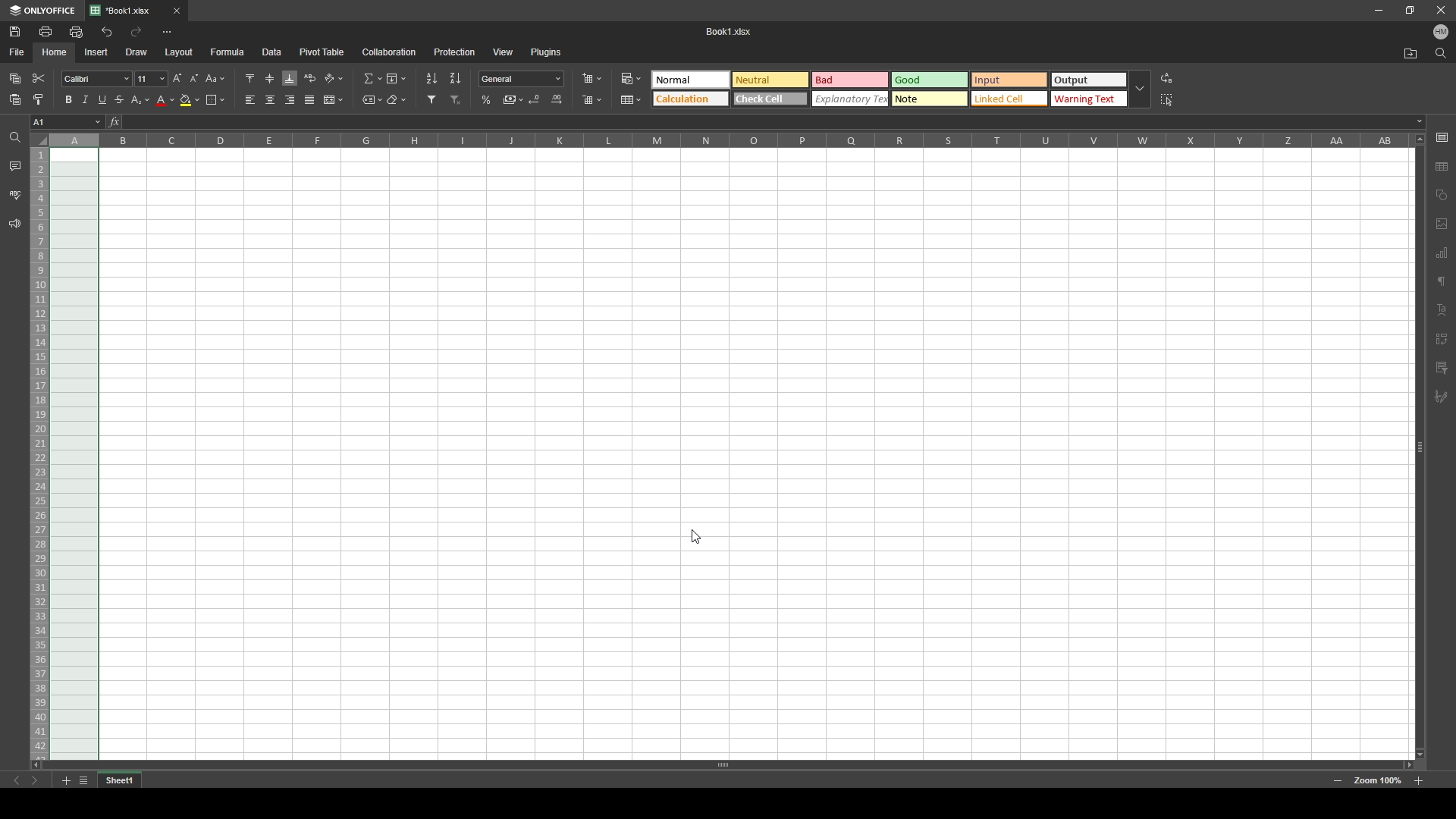 This screenshot has width=1456, height=819. Describe the element at coordinates (68, 99) in the screenshot. I see `bold` at that location.